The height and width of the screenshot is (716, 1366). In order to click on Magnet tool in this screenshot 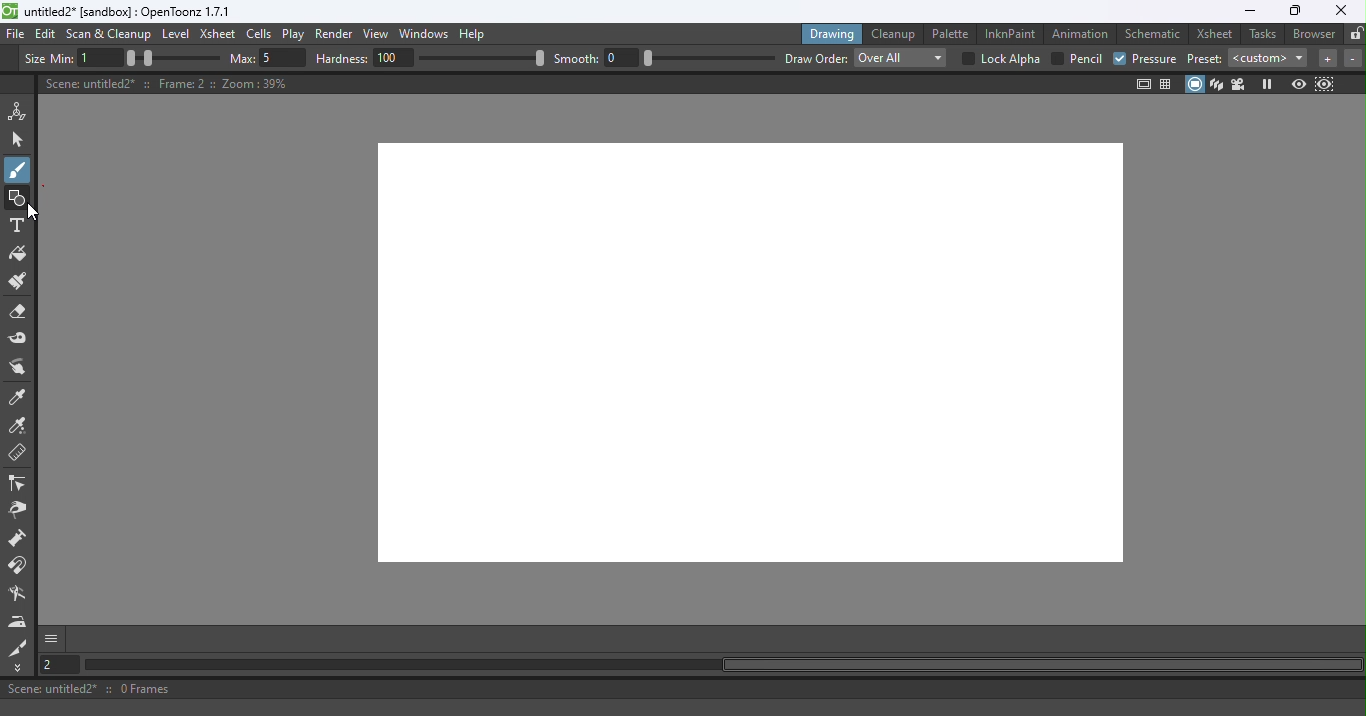, I will do `click(19, 566)`.